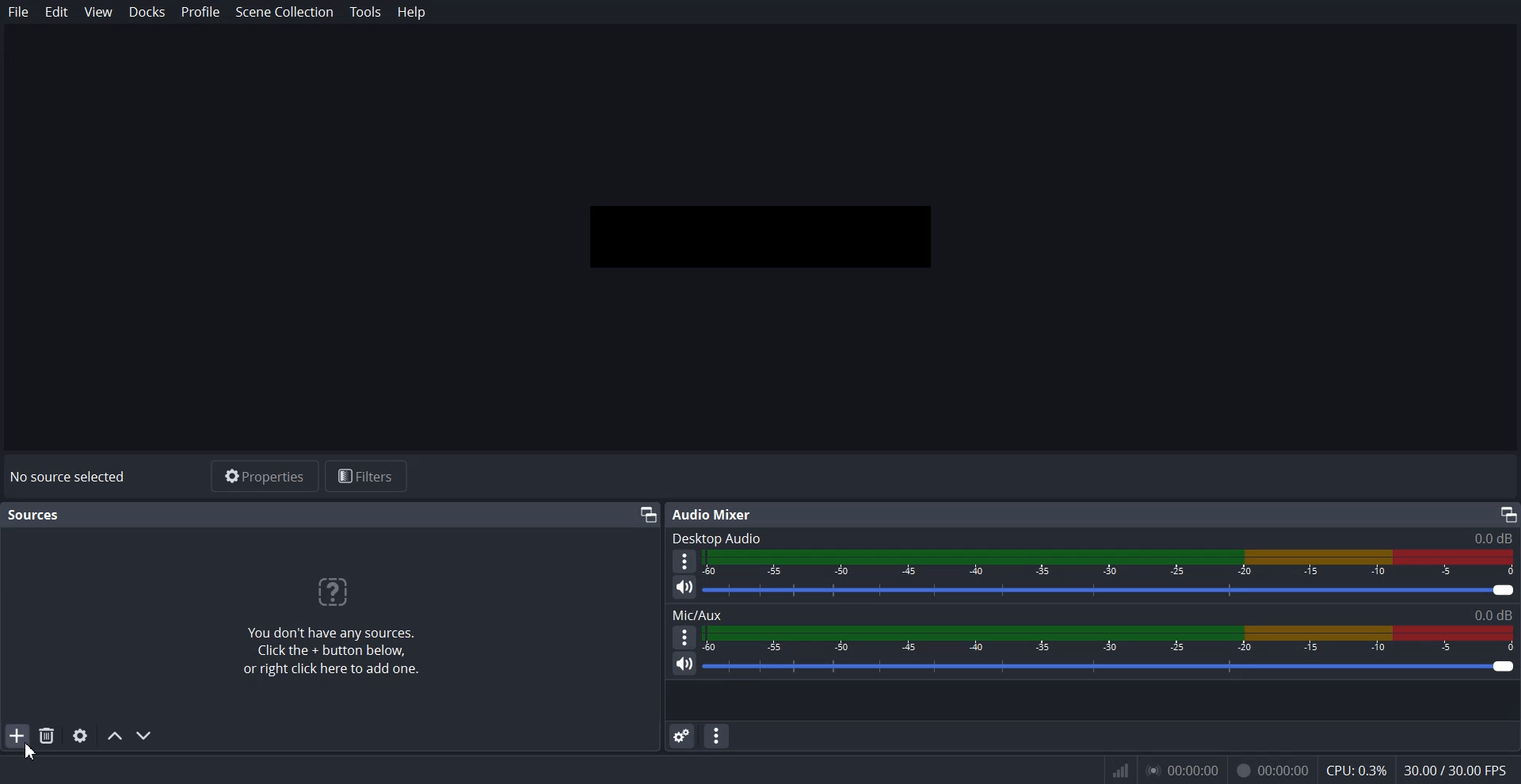  I want to click on Mute, so click(685, 664).